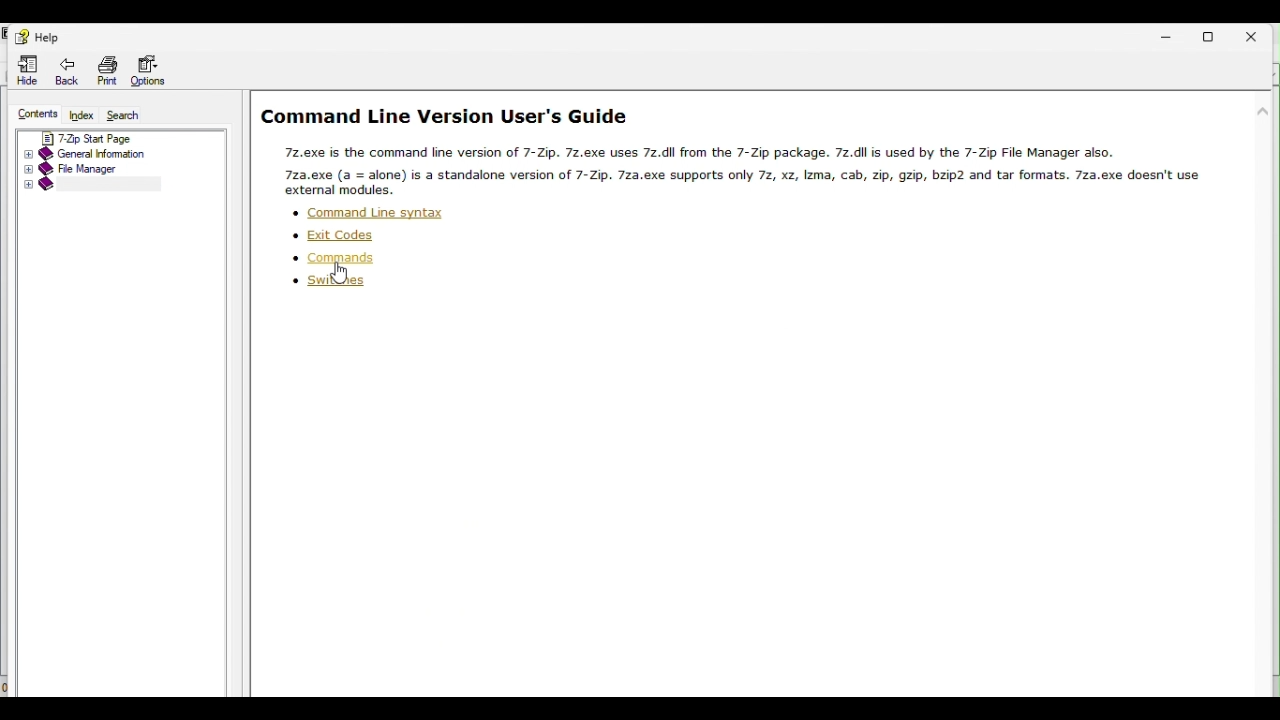 Image resolution: width=1280 pixels, height=720 pixels. Describe the element at coordinates (327, 284) in the screenshot. I see `Switches` at that location.